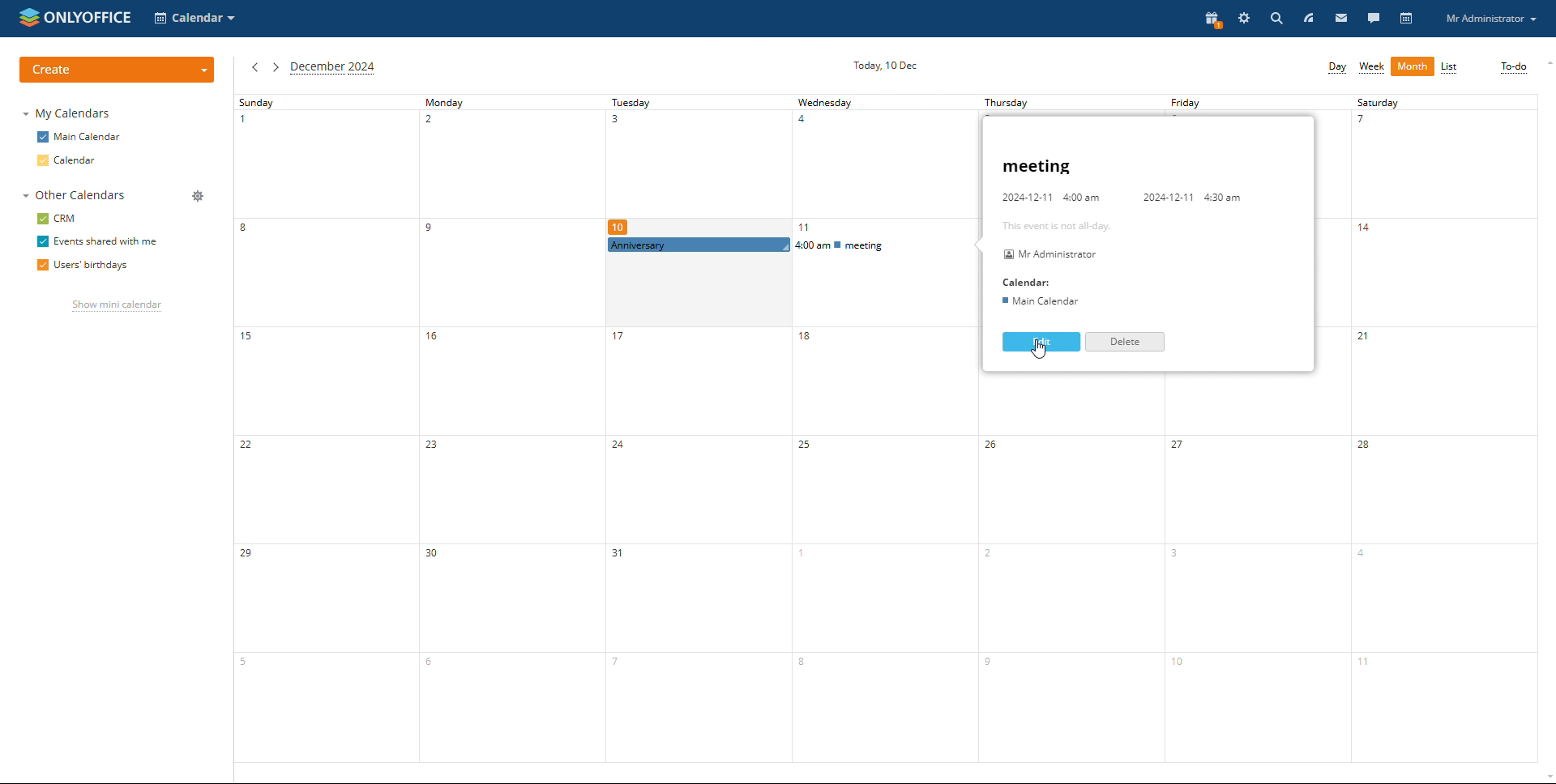 This screenshot has width=1556, height=784. What do you see at coordinates (1546, 777) in the screenshot?
I see `scroll down` at bounding box center [1546, 777].